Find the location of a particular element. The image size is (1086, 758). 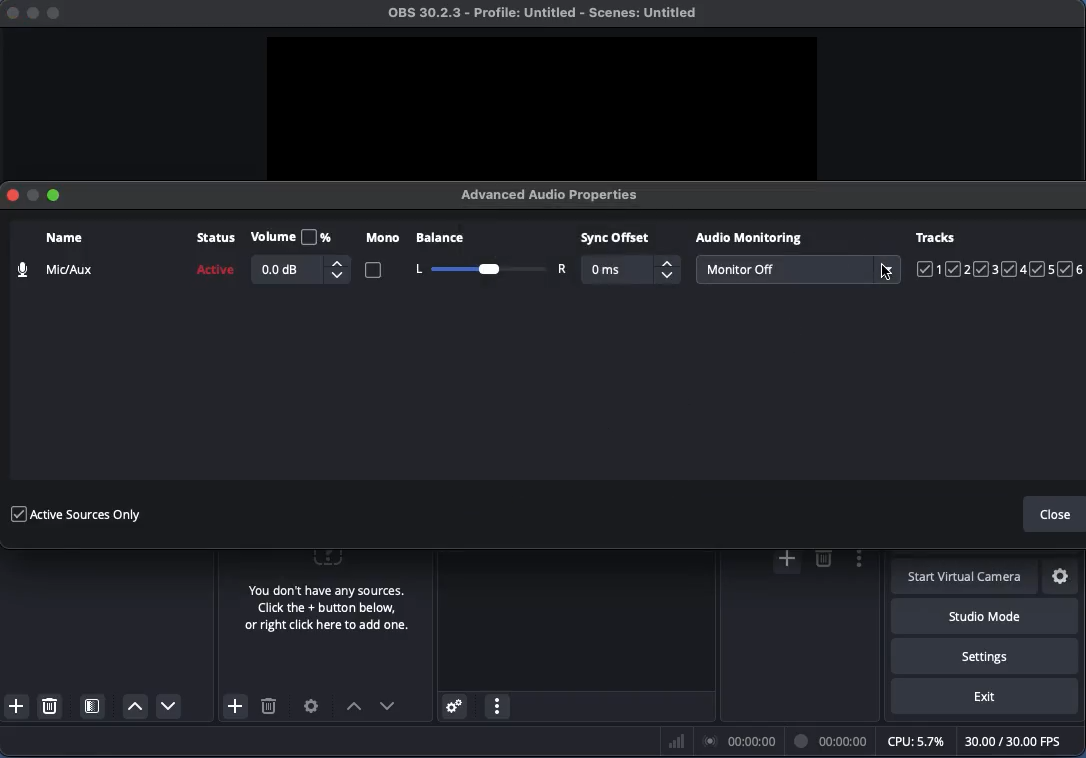

Volume  is located at coordinates (299, 256).